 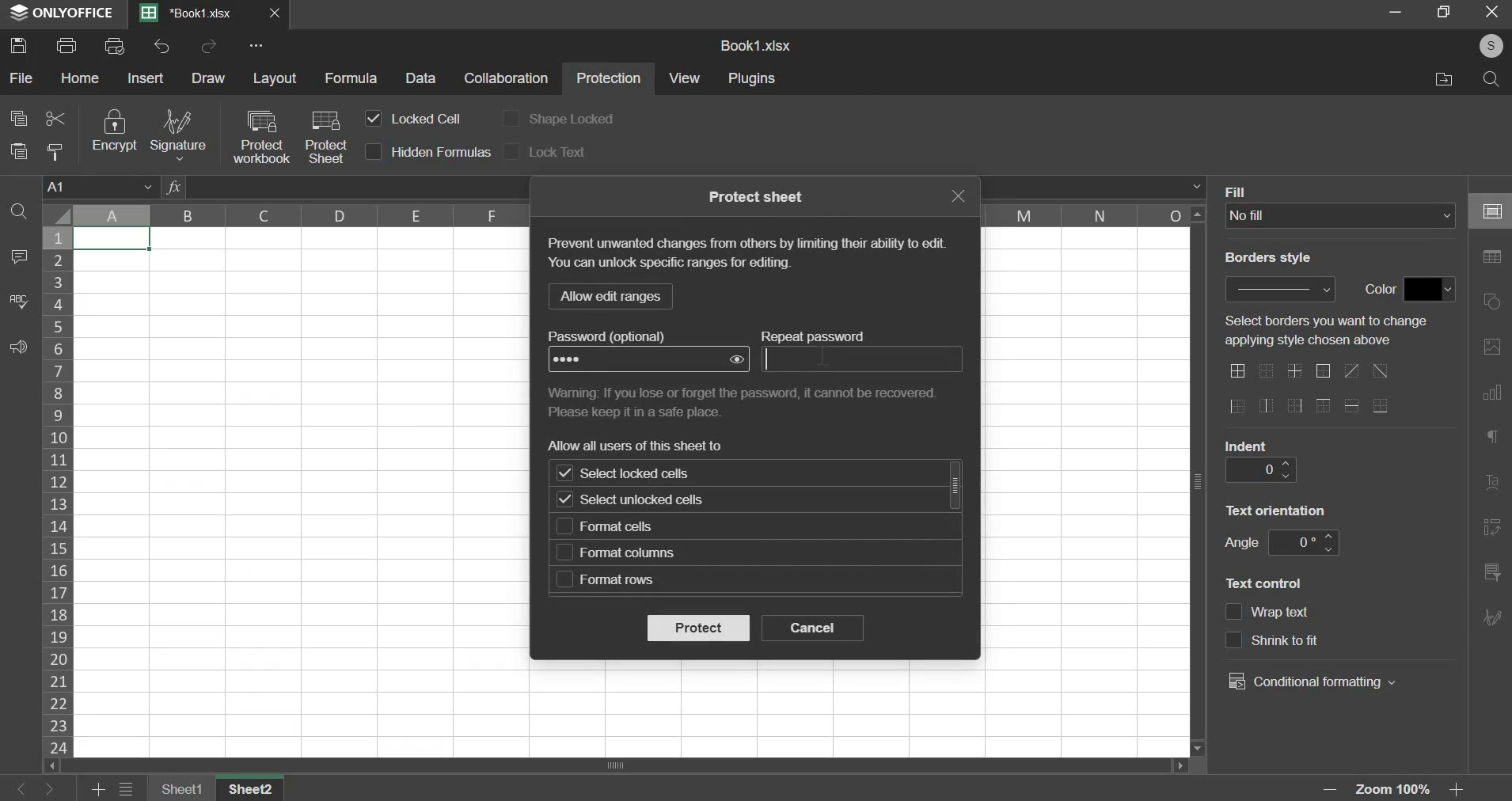 What do you see at coordinates (101, 185) in the screenshot?
I see `cell name` at bounding box center [101, 185].